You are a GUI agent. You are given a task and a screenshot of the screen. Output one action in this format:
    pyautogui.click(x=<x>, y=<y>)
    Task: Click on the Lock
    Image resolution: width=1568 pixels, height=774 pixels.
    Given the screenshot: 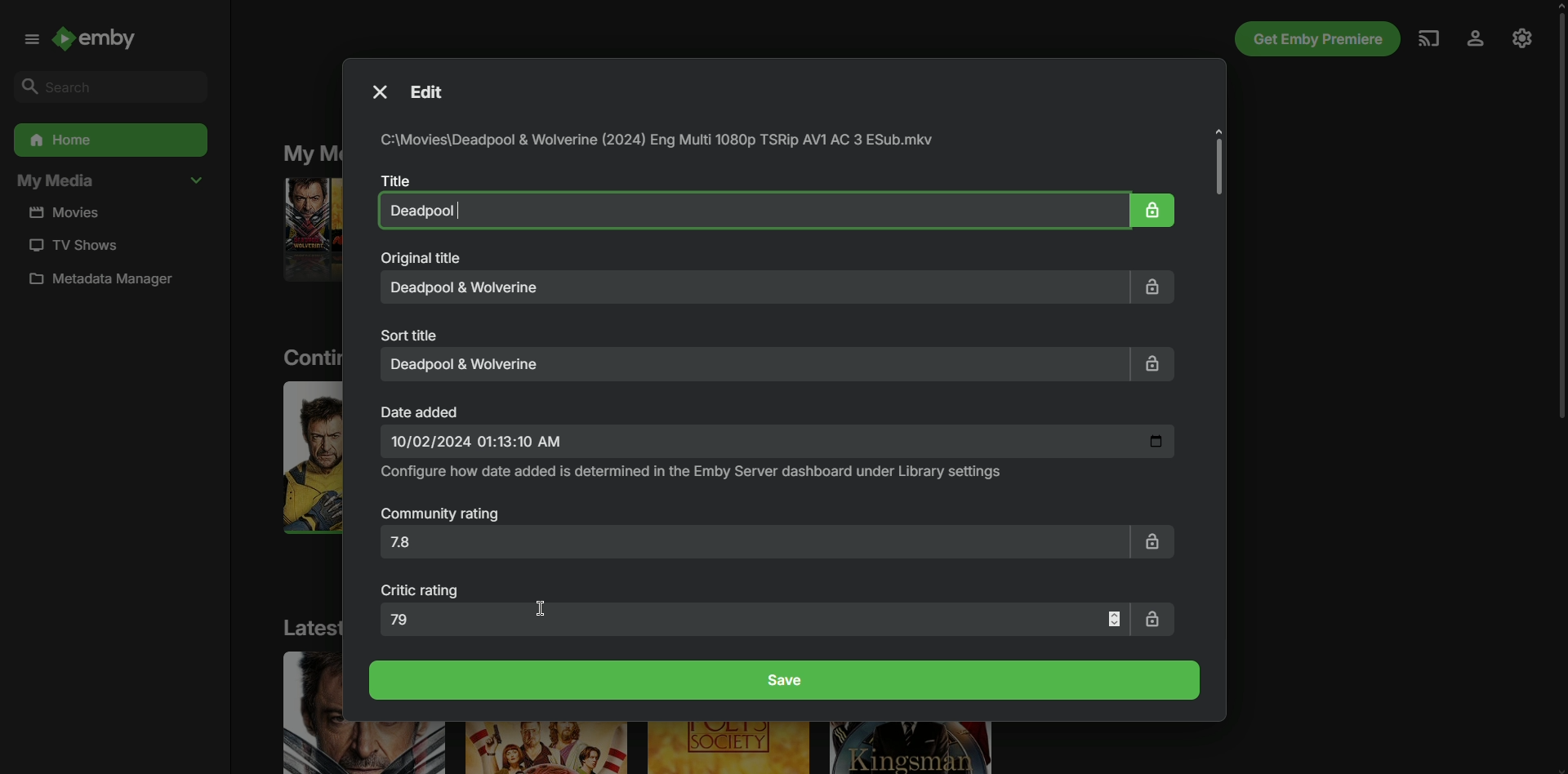 What is the action you would take?
    pyautogui.click(x=1155, y=618)
    